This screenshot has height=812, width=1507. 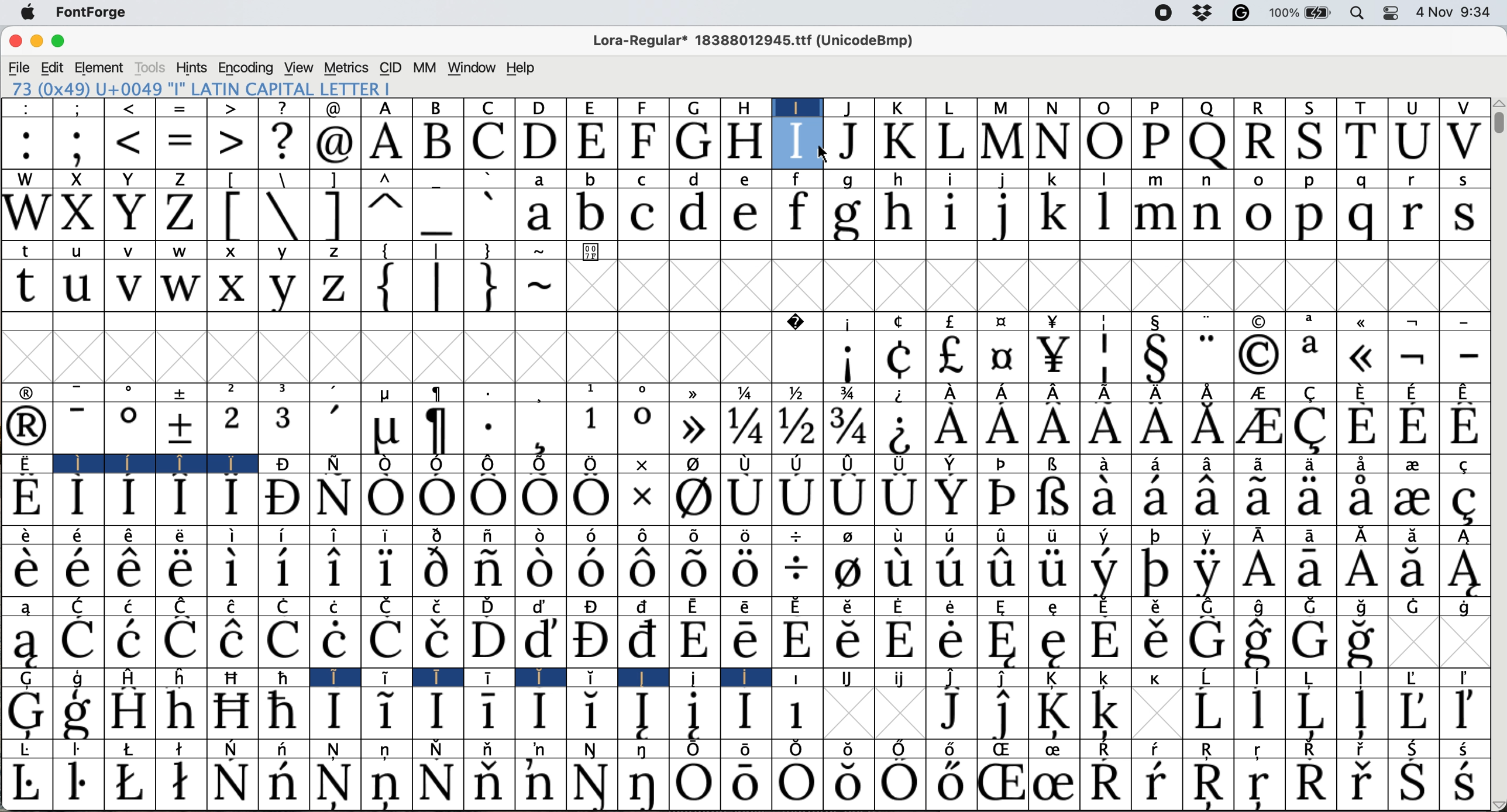 I want to click on Symbol, so click(x=1051, y=535).